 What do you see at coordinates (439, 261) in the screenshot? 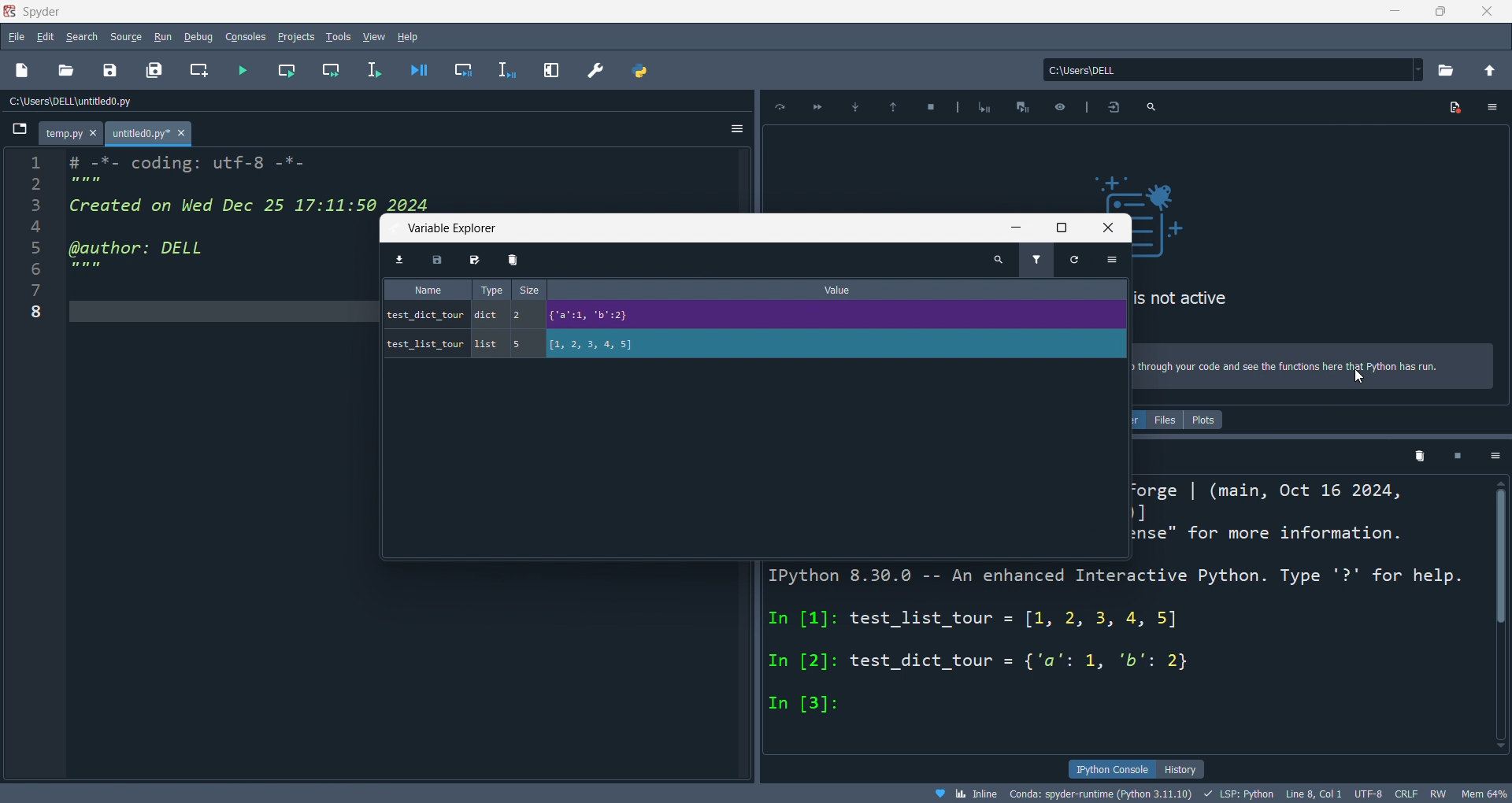
I see `save` at bounding box center [439, 261].